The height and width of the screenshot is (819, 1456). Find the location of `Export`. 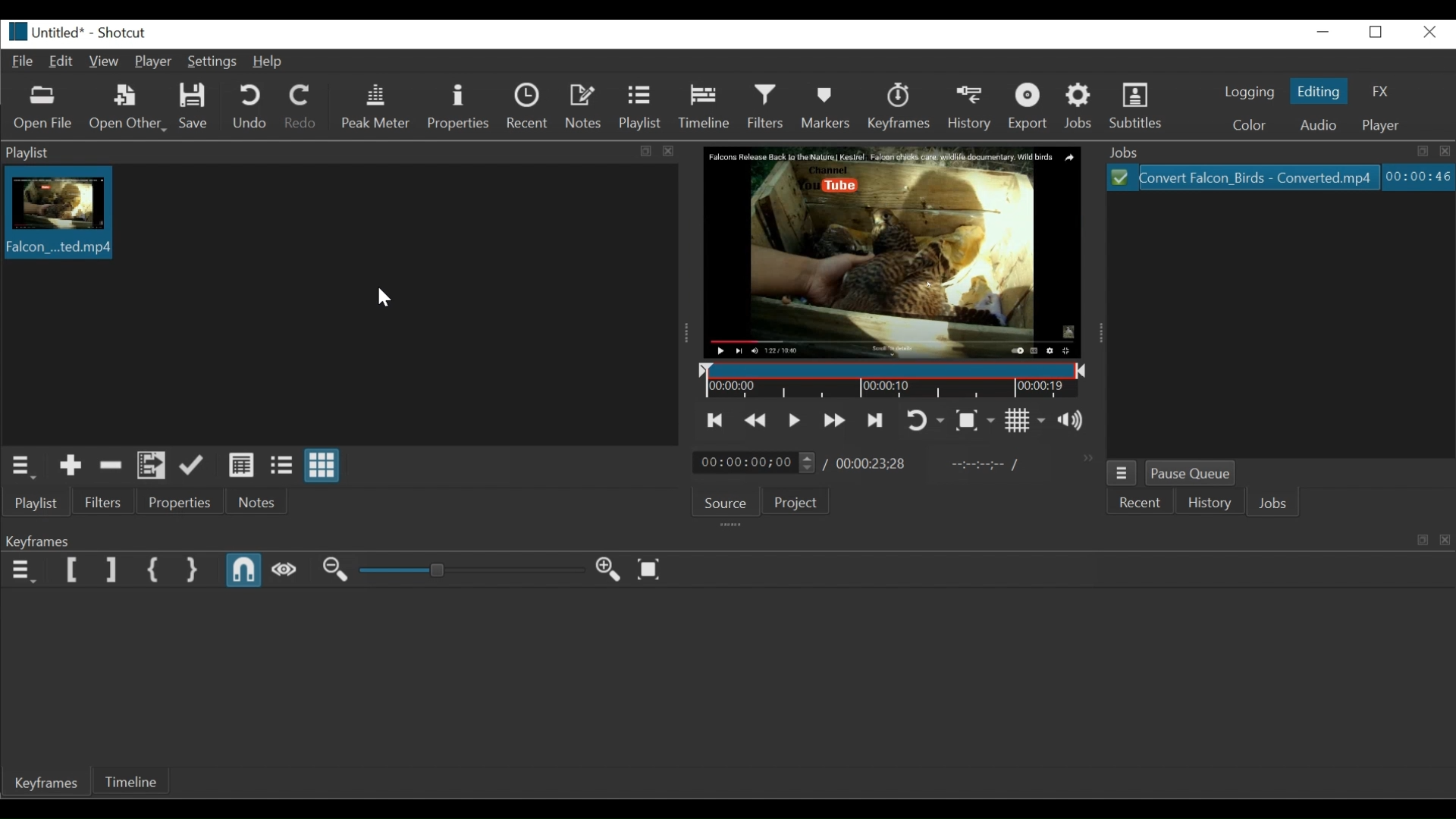

Export is located at coordinates (1031, 108).